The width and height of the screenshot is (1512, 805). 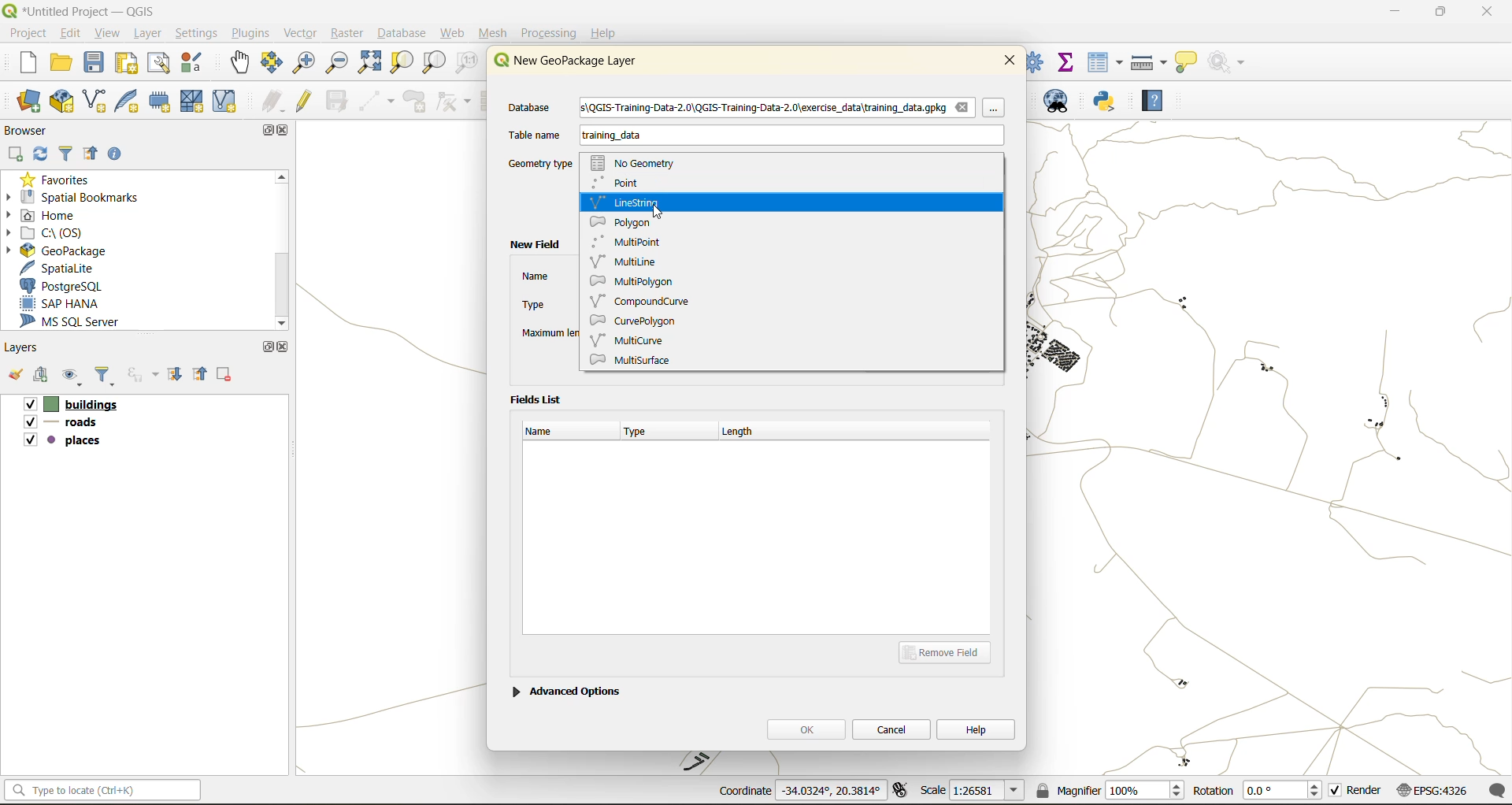 I want to click on statistical summary, so click(x=1067, y=61).